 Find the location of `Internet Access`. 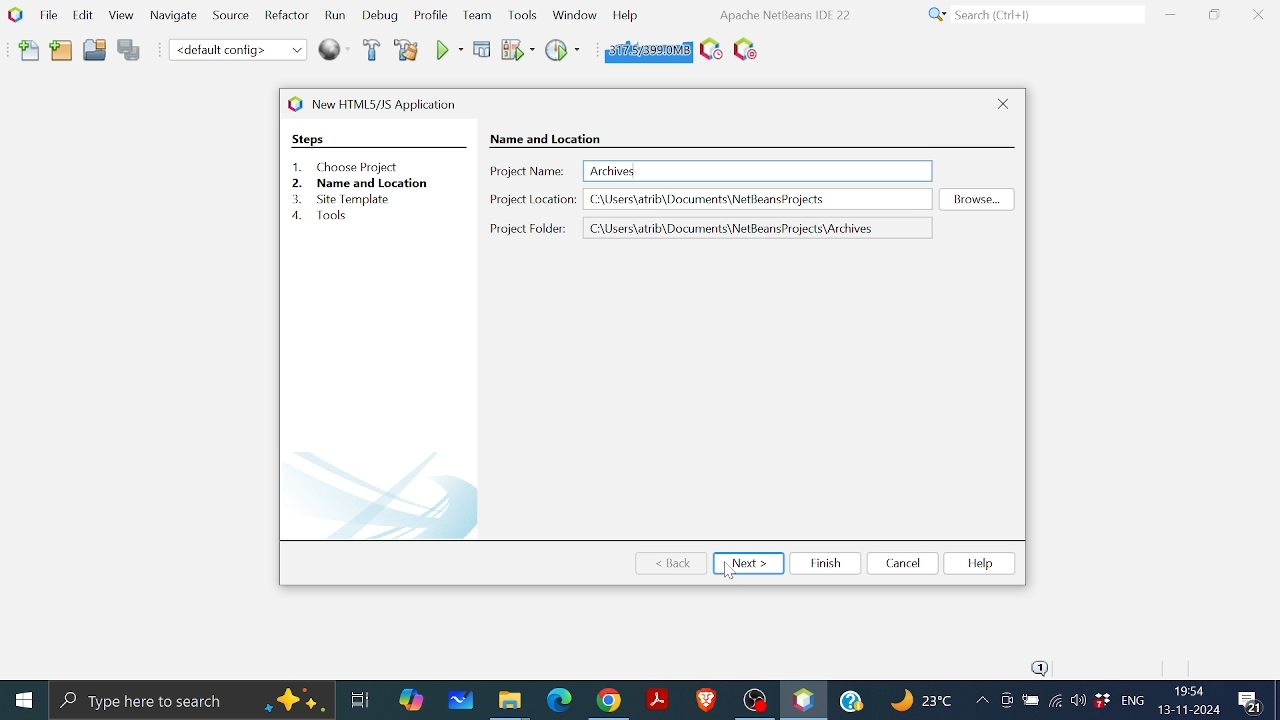

Internet Access is located at coordinates (1054, 703).